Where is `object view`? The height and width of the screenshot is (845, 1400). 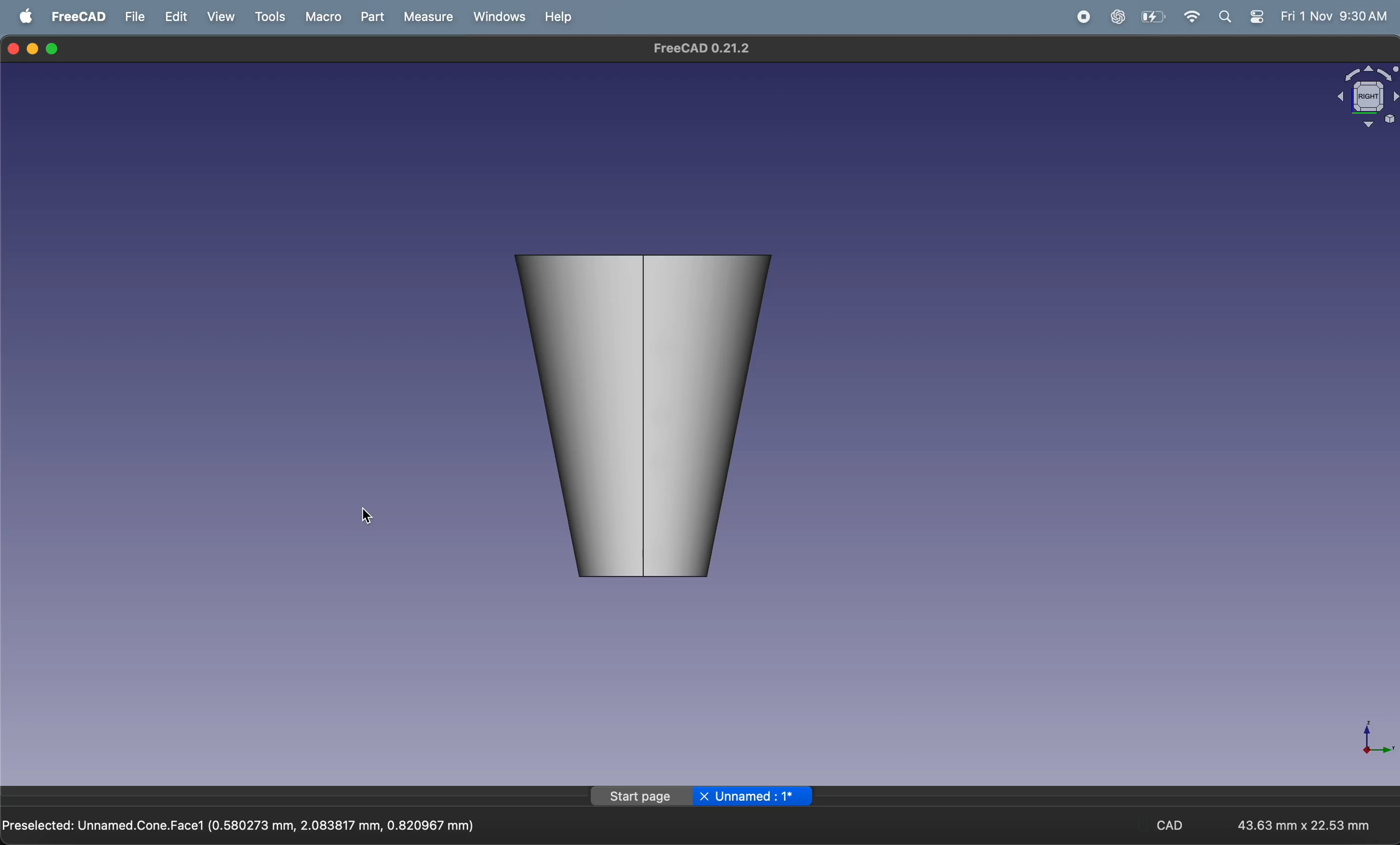 object view is located at coordinates (1352, 94).